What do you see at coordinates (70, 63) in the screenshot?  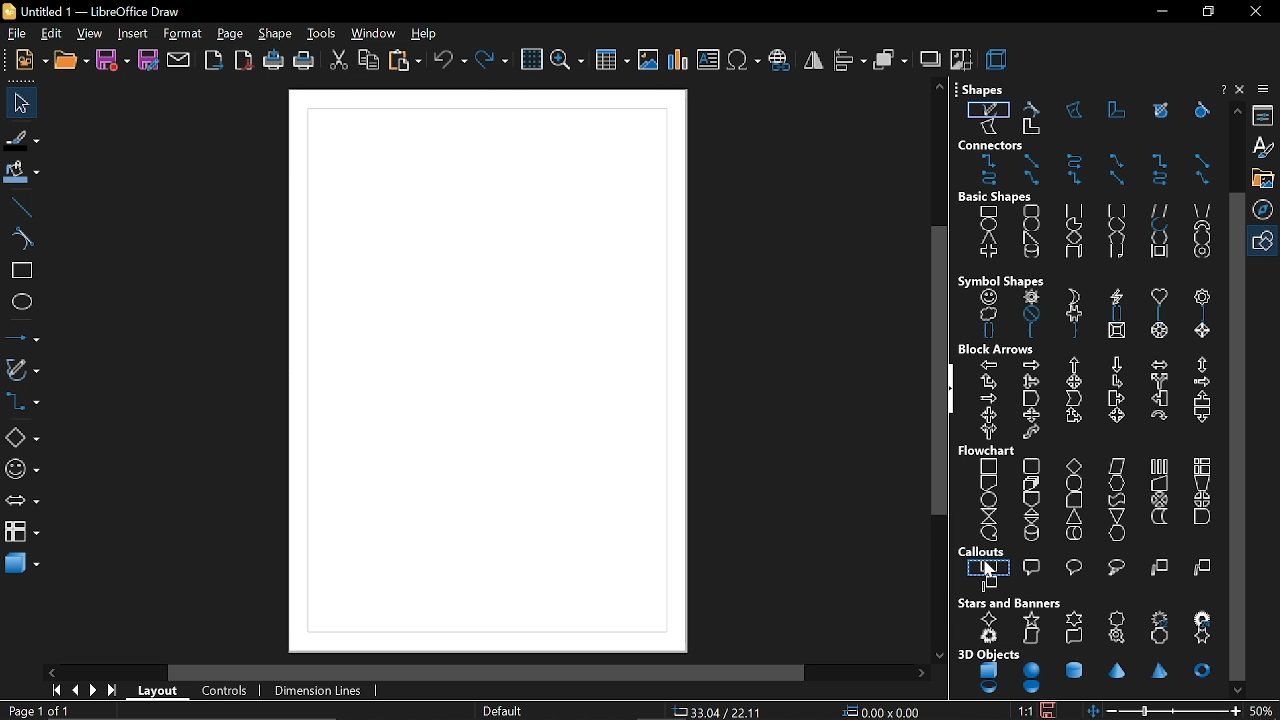 I see `open` at bounding box center [70, 63].